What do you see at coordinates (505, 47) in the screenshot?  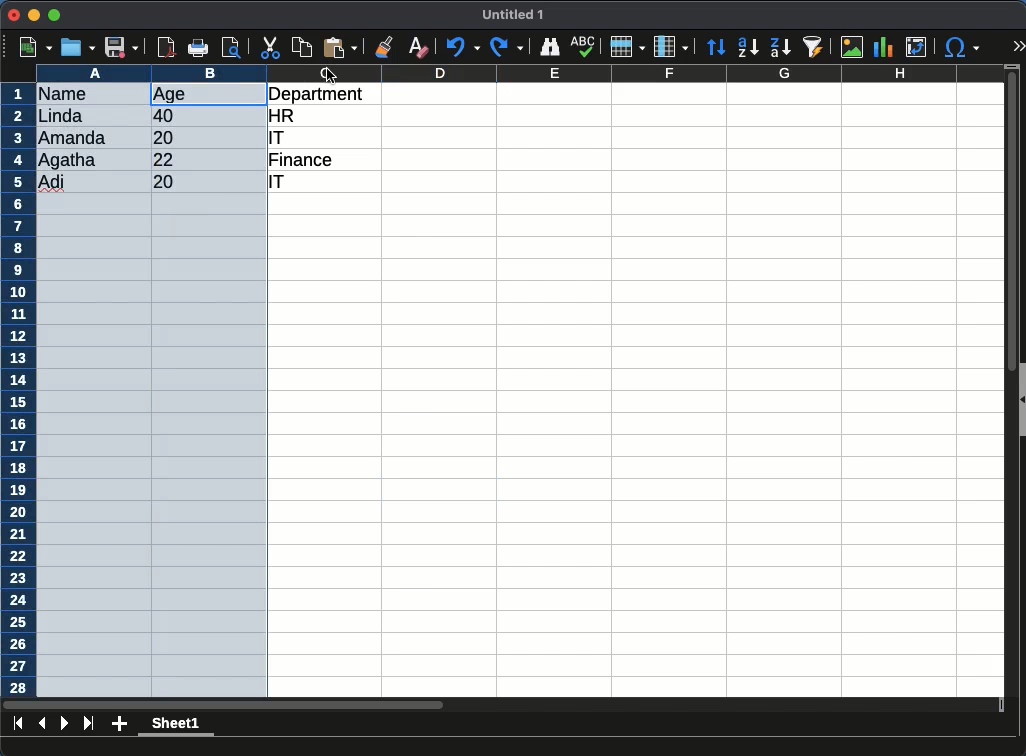 I see `redo` at bounding box center [505, 47].